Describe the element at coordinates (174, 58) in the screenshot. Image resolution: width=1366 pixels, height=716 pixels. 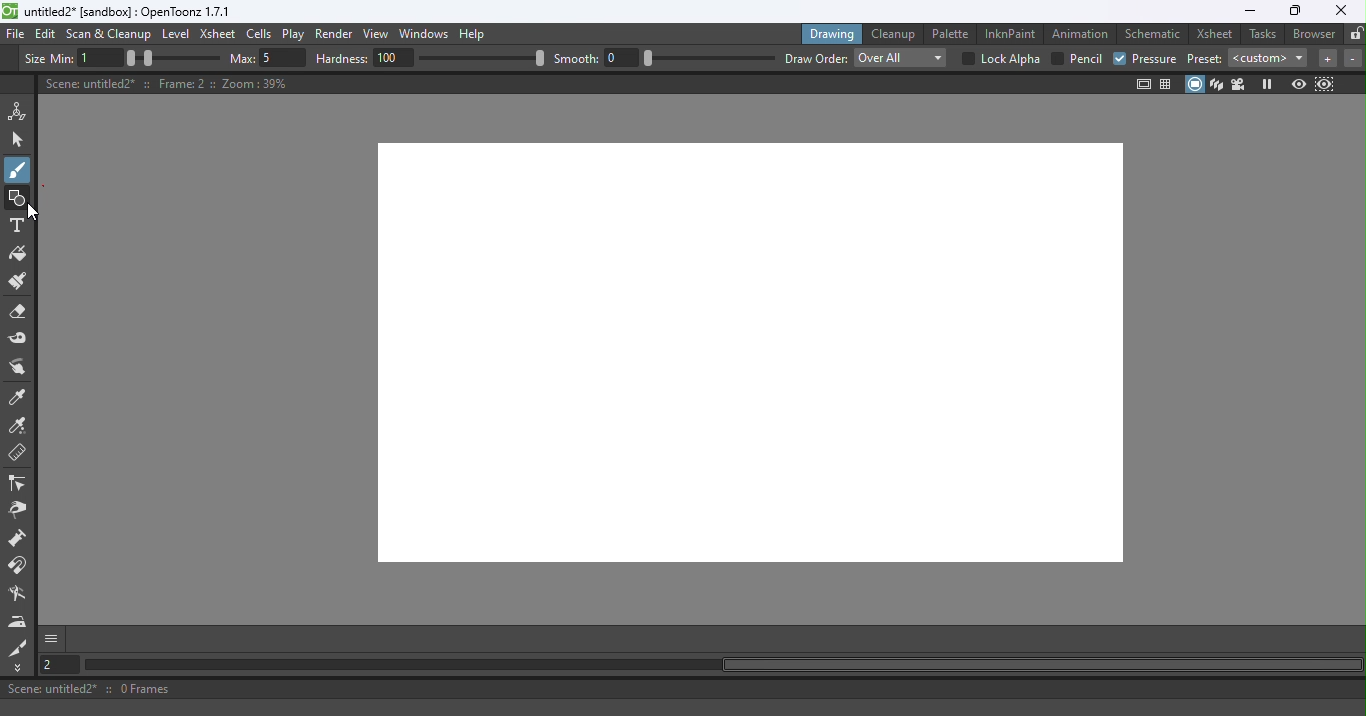
I see `slider` at that location.